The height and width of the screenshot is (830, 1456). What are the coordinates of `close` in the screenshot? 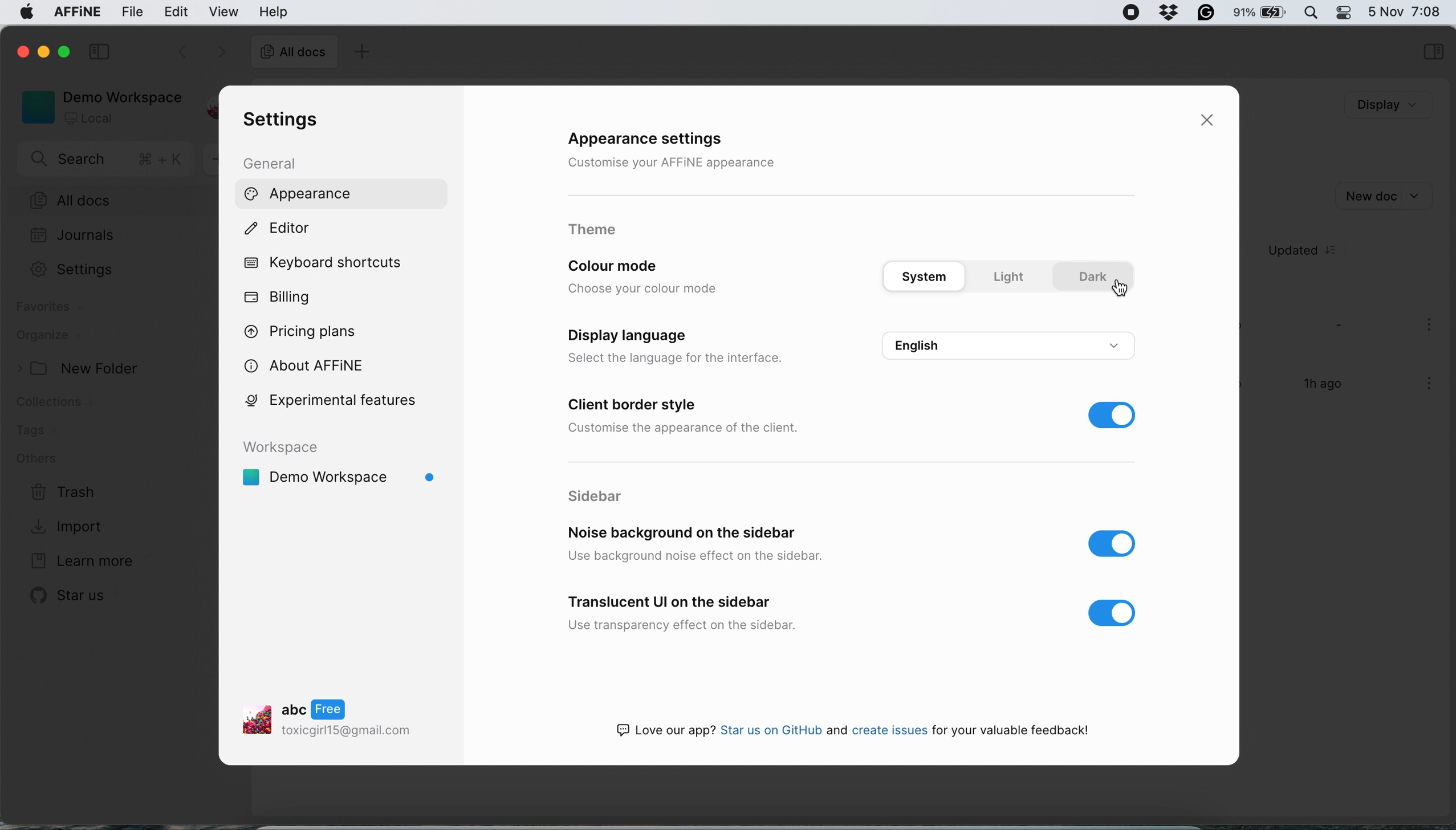 It's located at (21, 51).